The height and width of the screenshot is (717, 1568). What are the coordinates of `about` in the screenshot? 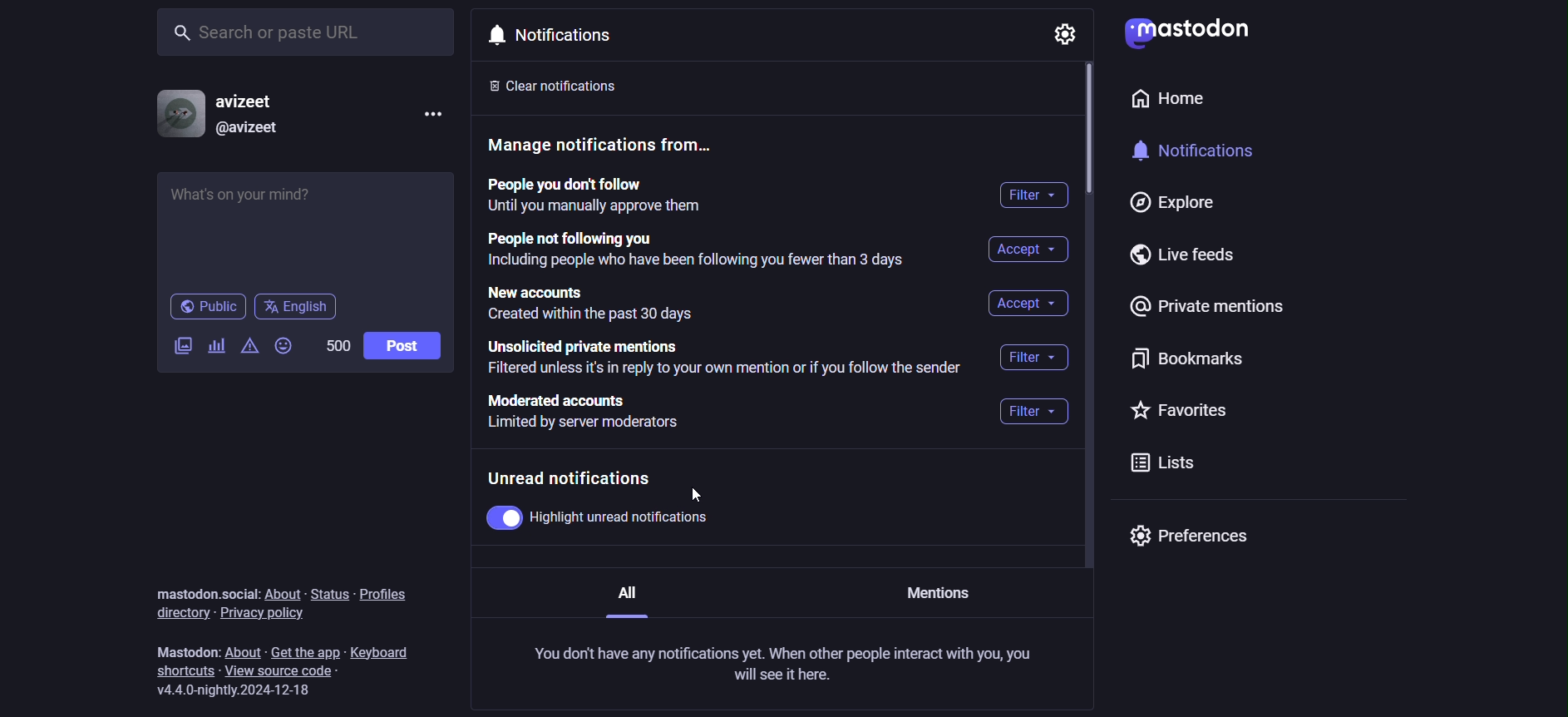 It's located at (245, 652).